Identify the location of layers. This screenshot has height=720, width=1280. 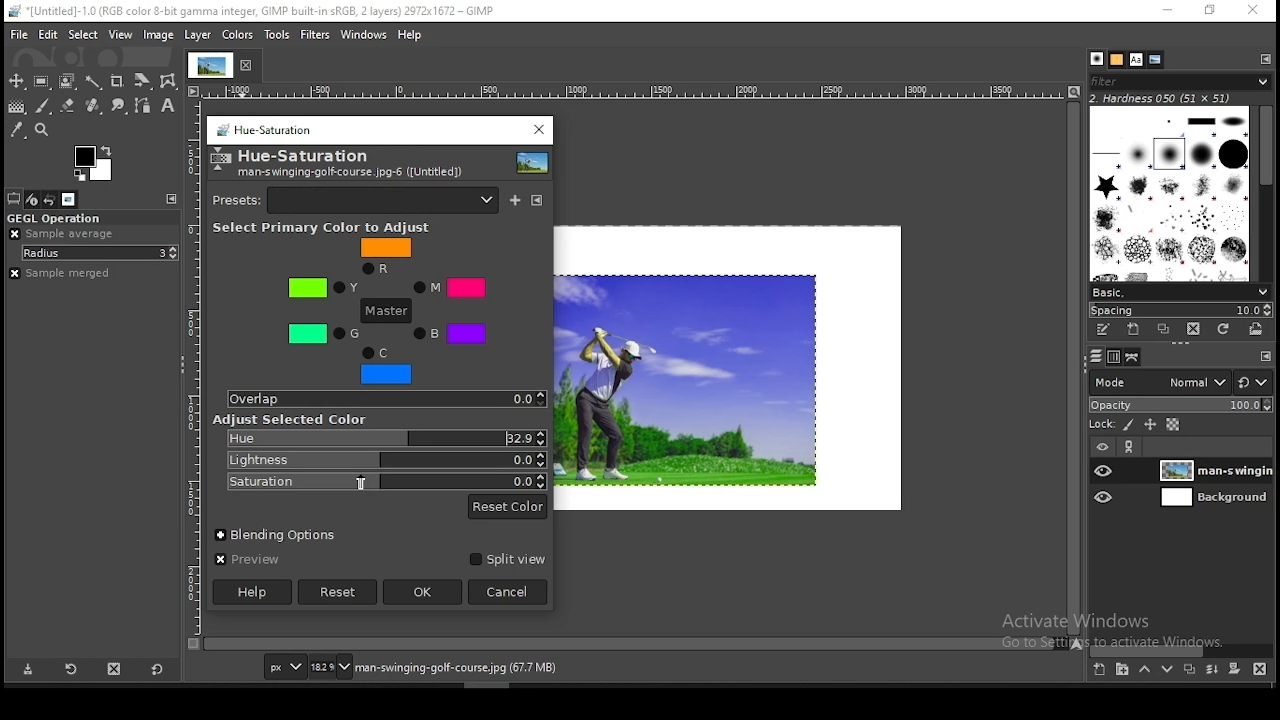
(1093, 357).